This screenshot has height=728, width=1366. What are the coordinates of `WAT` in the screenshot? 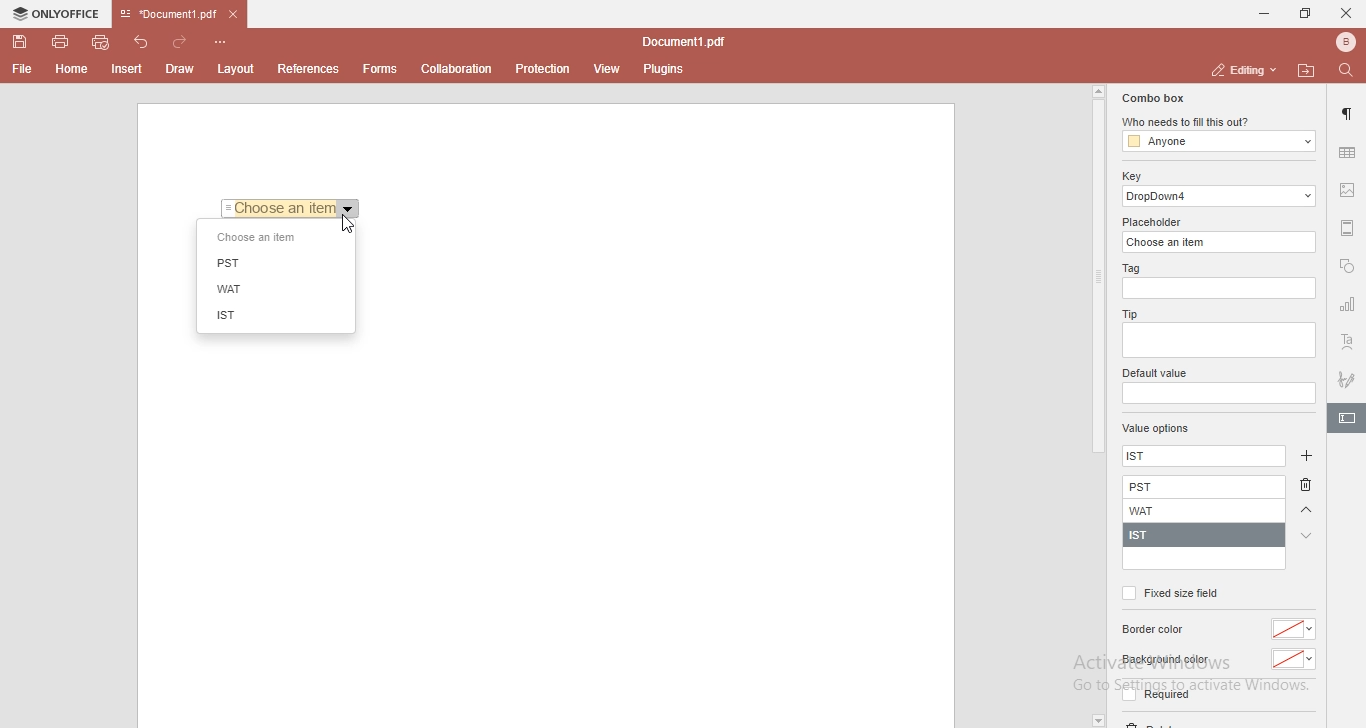 It's located at (226, 290).